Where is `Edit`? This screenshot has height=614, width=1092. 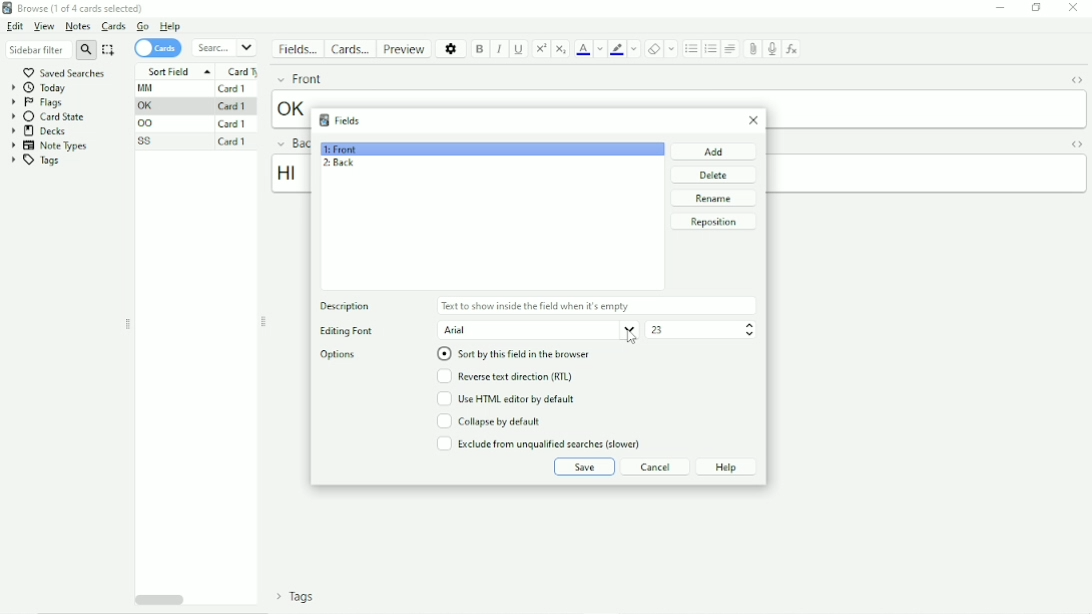 Edit is located at coordinates (16, 27).